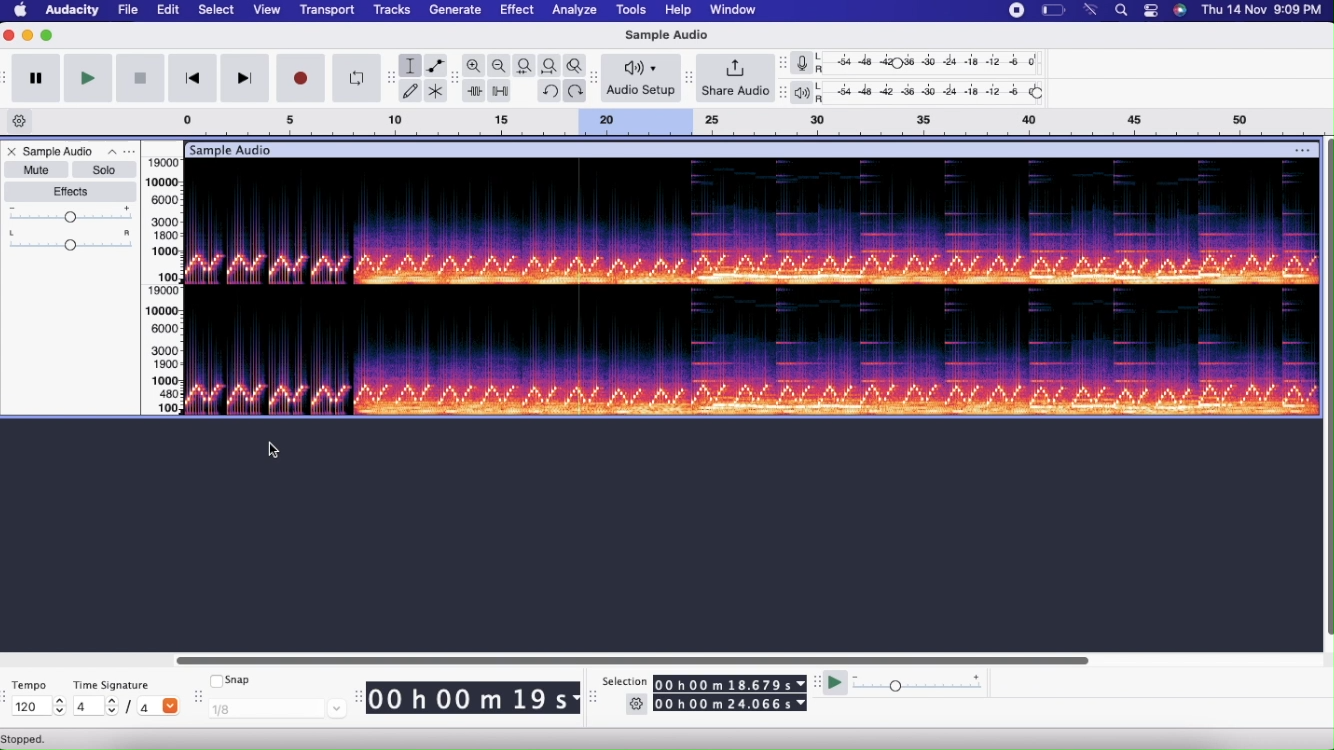  Describe the element at coordinates (162, 350) in the screenshot. I see `level slider` at that location.